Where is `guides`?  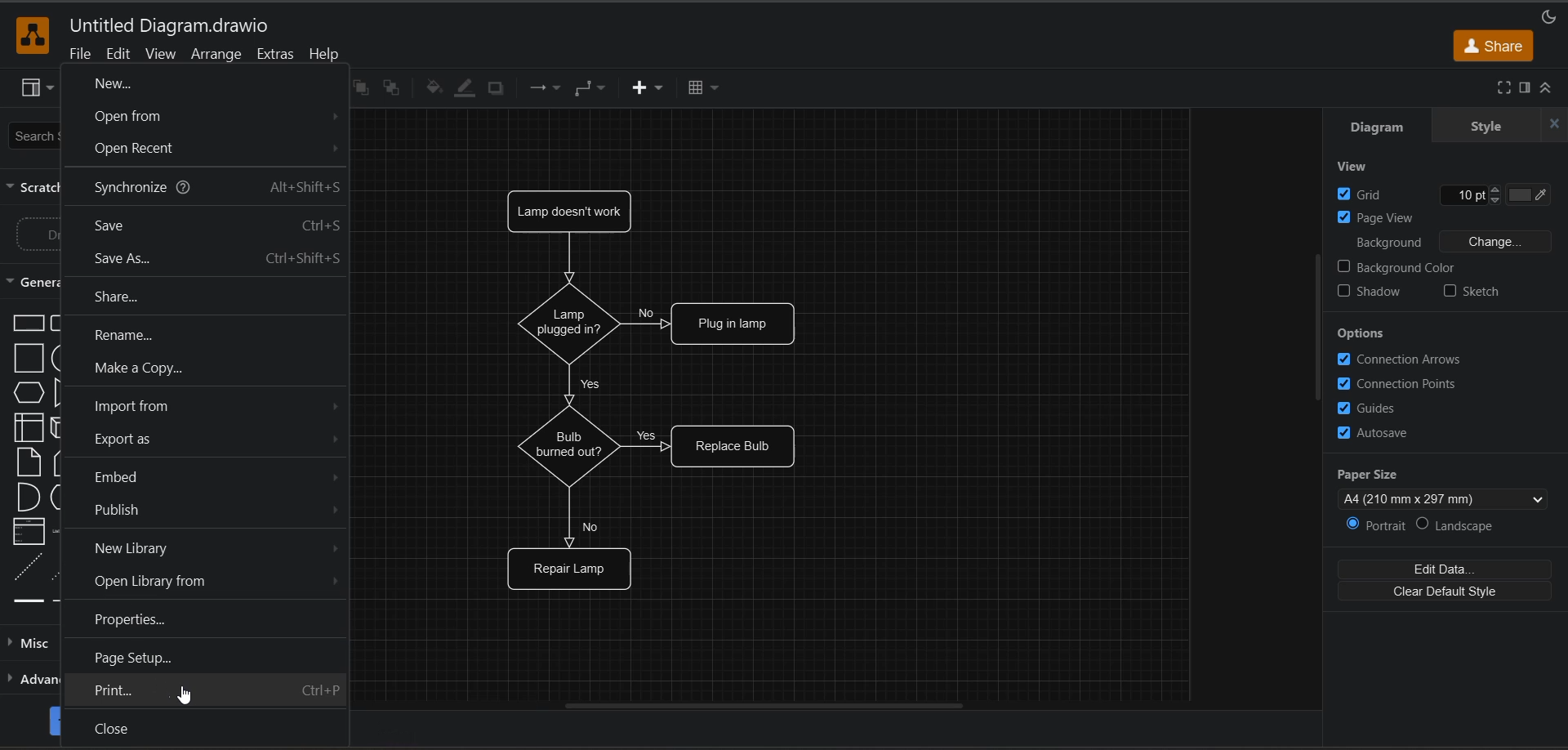
guides is located at coordinates (1375, 408).